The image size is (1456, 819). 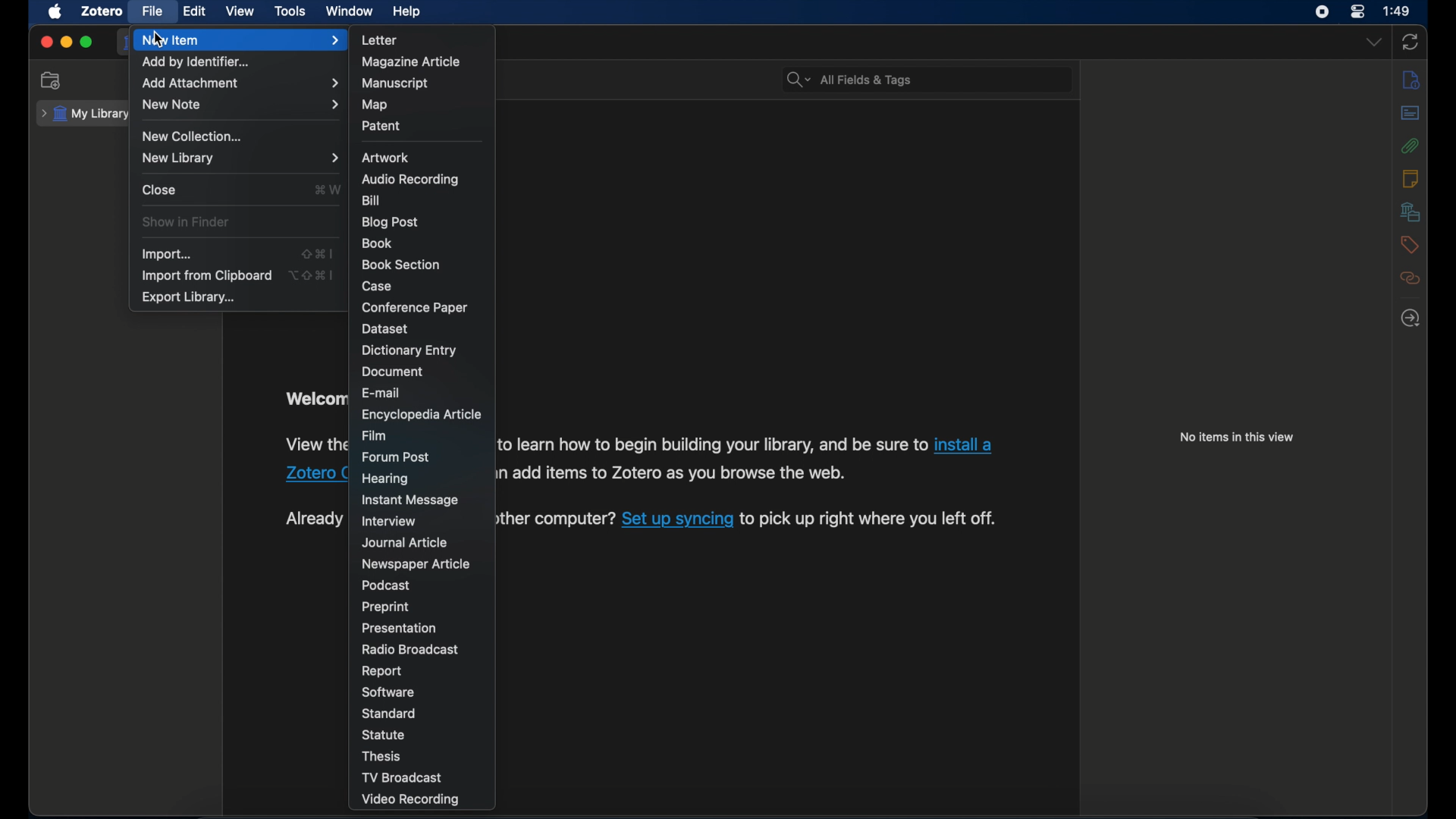 What do you see at coordinates (1411, 279) in the screenshot?
I see `related` at bounding box center [1411, 279].